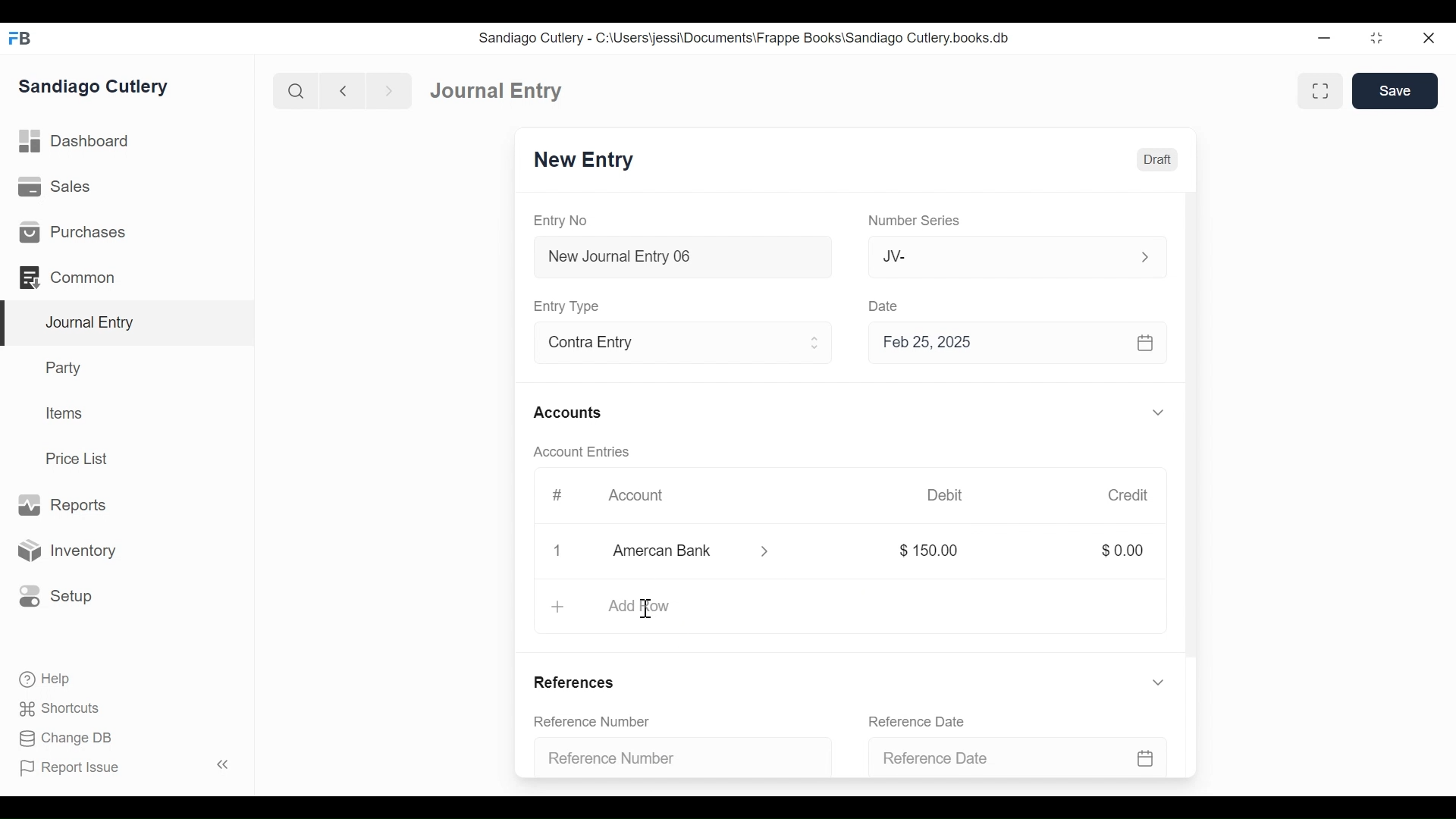 The image size is (1456, 819). Describe the element at coordinates (390, 92) in the screenshot. I see `Navigate Forward` at that location.